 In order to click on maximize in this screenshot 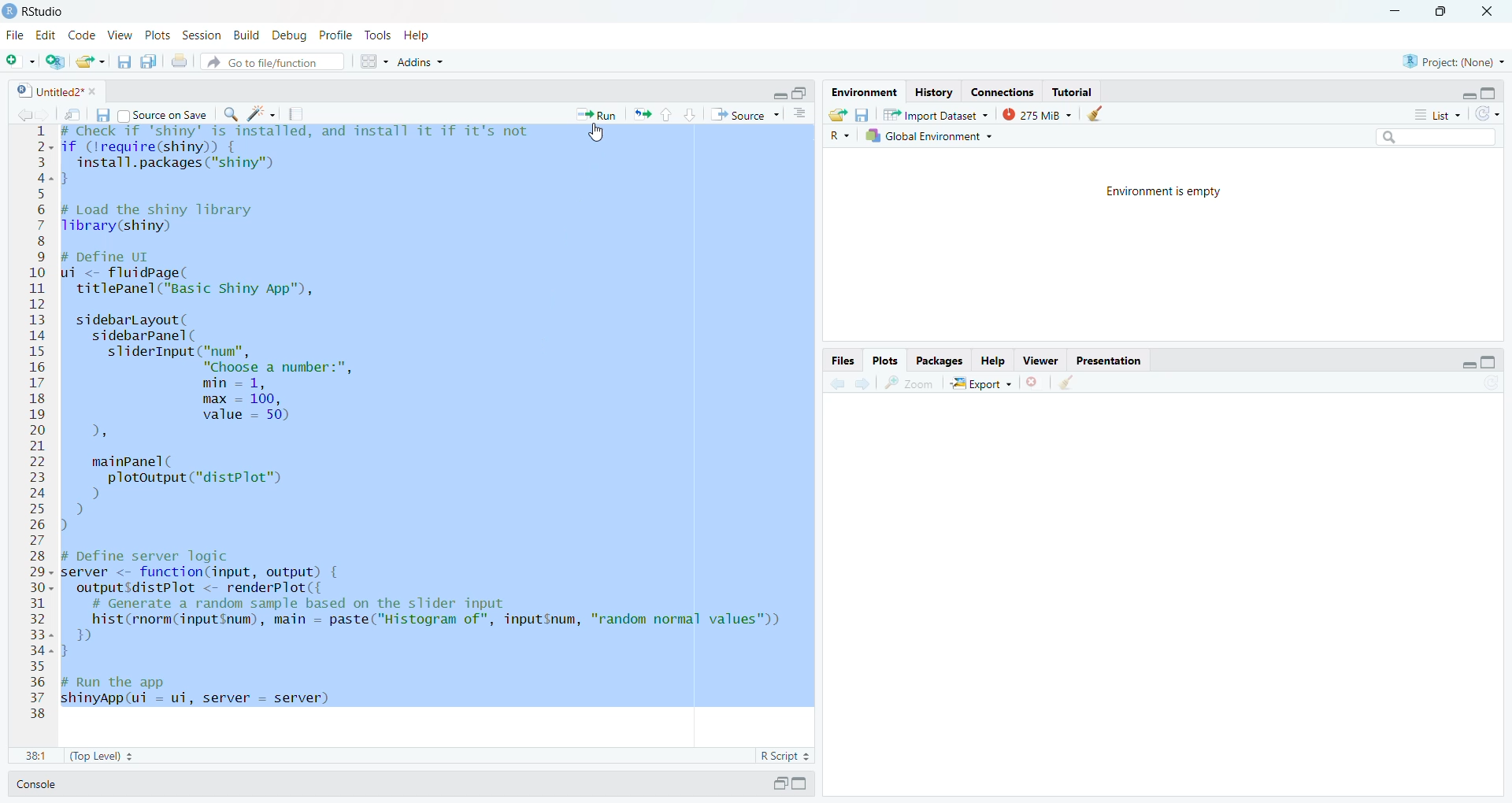, I will do `click(1490, 362)`.